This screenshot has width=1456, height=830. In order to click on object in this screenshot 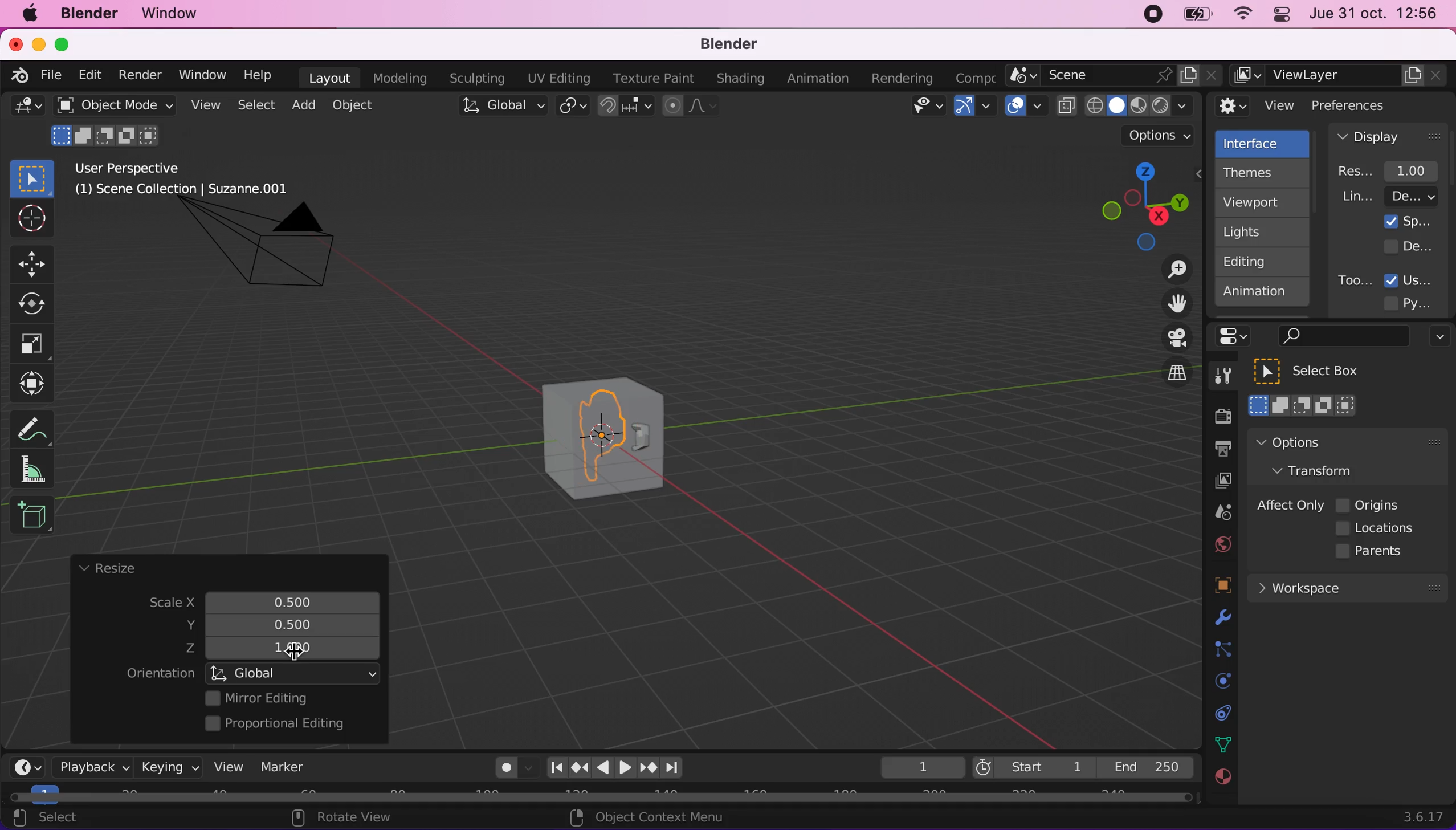, I will do `click(356, 105)`.